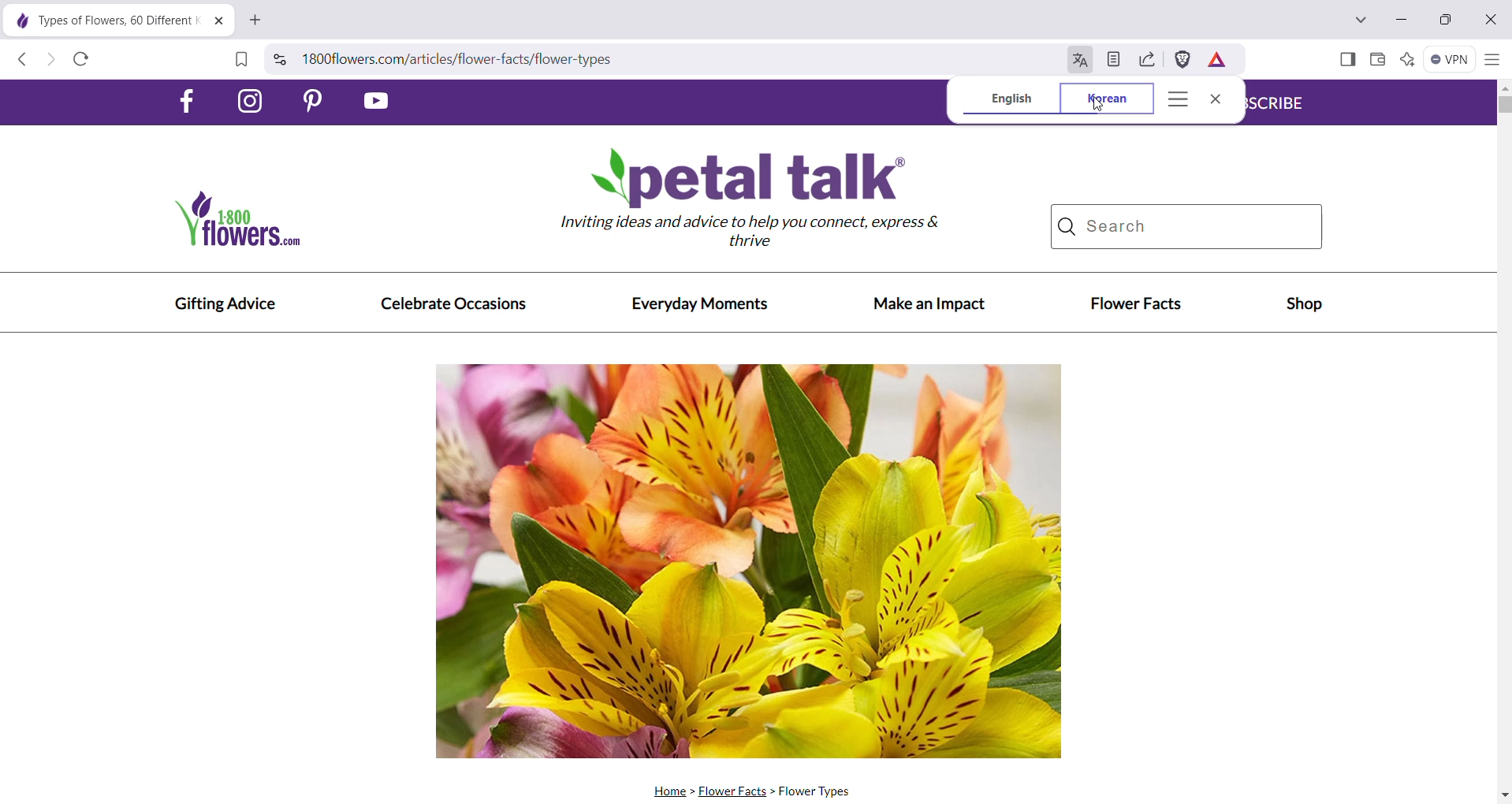 The image size is (1512, 804). I want to click on Current Webpage, so click(753, 465).